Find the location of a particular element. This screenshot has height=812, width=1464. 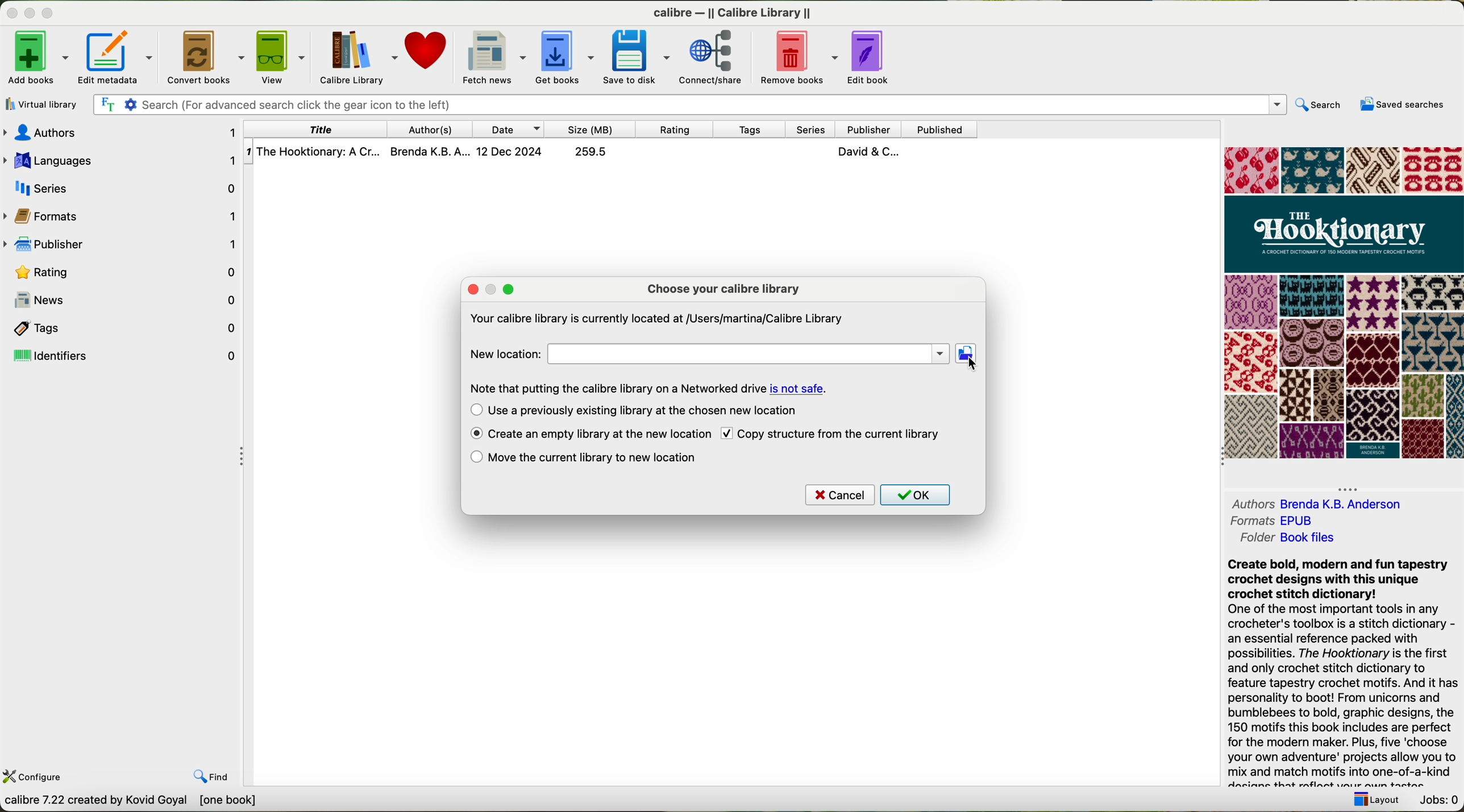

rating is located at coordinates (683, 129).